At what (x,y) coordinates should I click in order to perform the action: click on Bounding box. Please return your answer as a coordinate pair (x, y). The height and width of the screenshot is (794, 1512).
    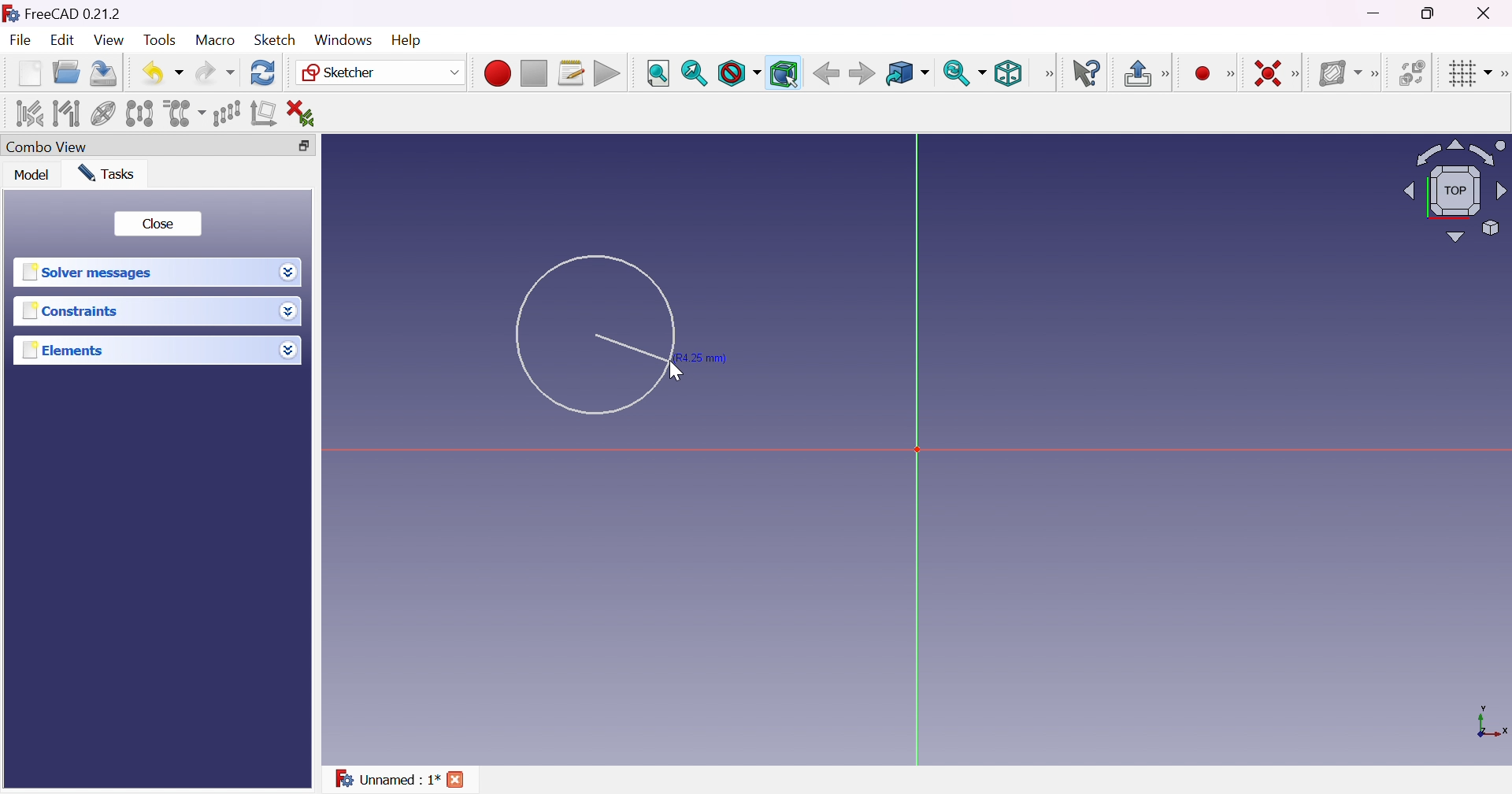
    Looking at the image, I should click on (784, 74).